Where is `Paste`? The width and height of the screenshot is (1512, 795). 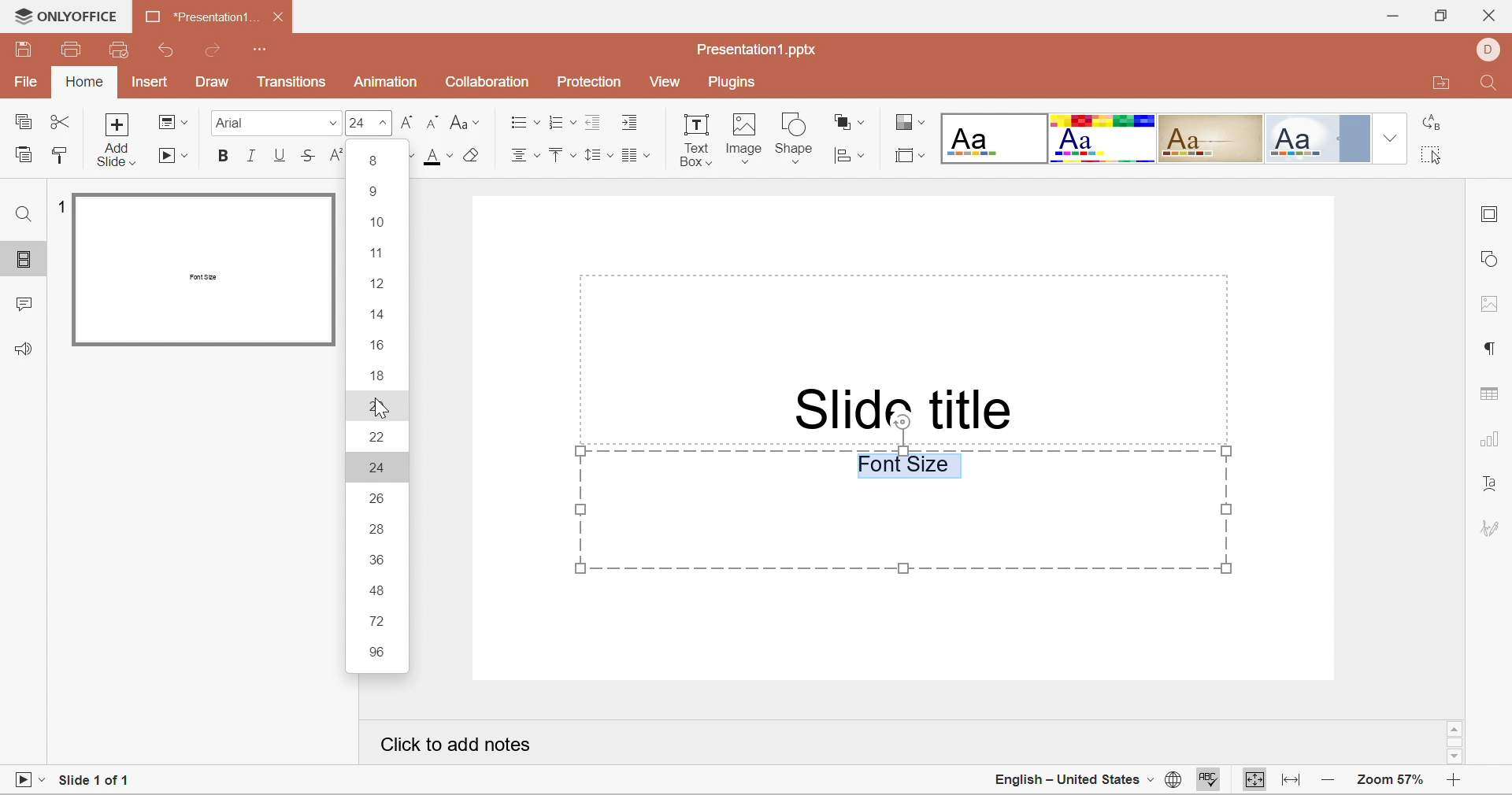
Paste is located at coordinates (23, 158).